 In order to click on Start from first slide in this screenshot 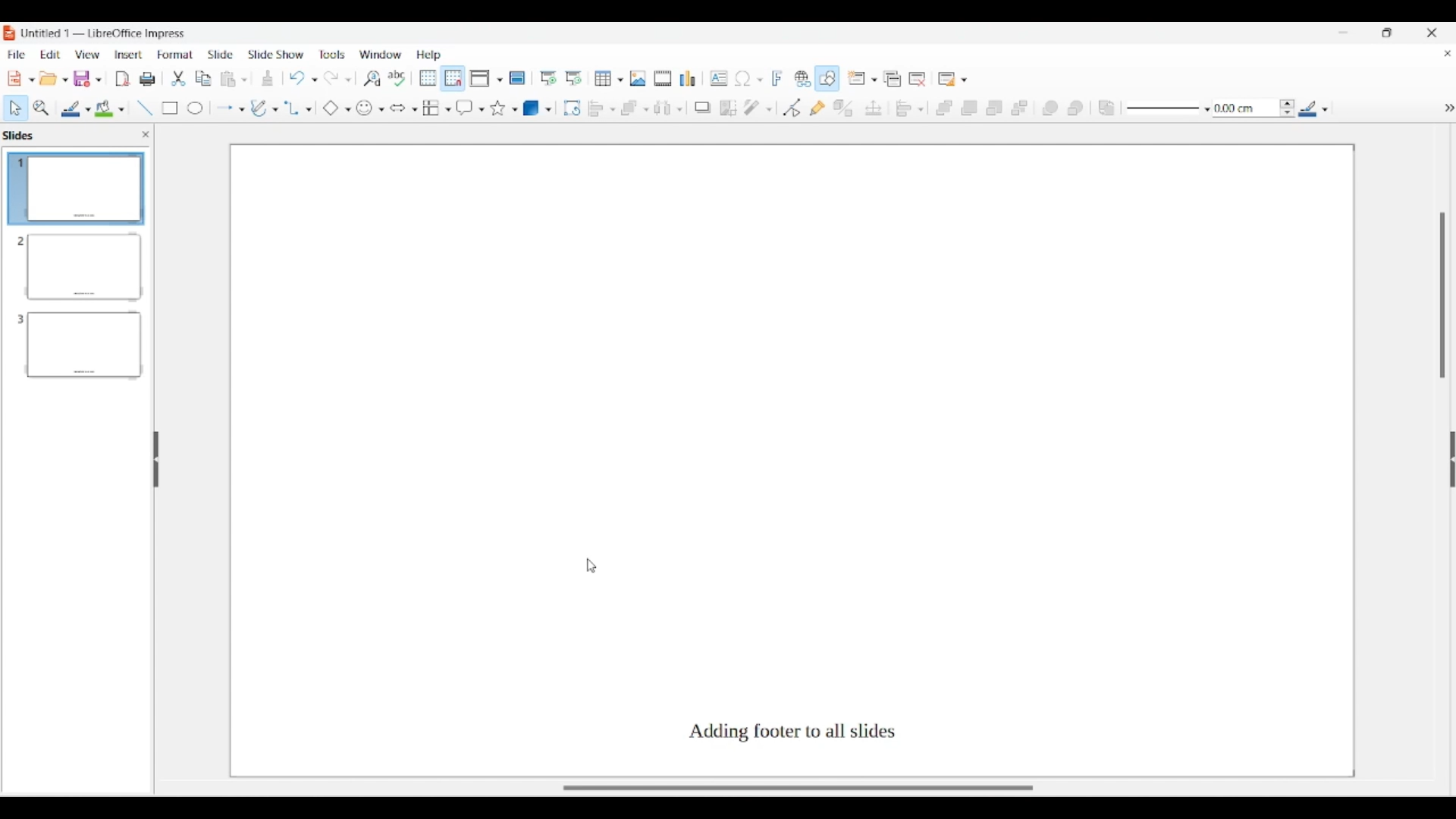, I will do `click(548, 78)`.